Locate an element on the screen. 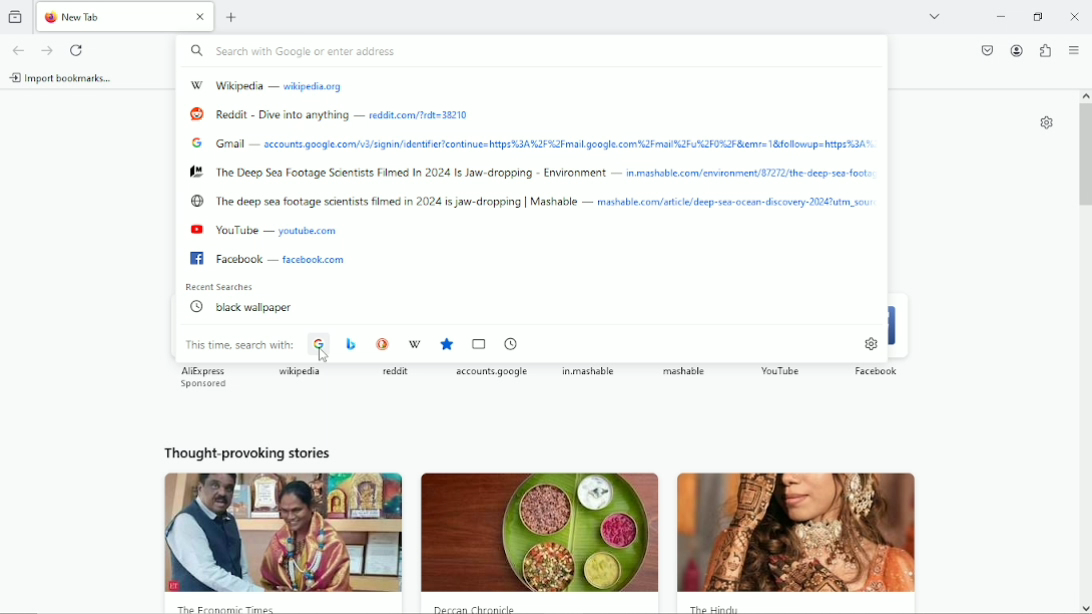  AliExpress sponsored is located at coordinates (209, 378).